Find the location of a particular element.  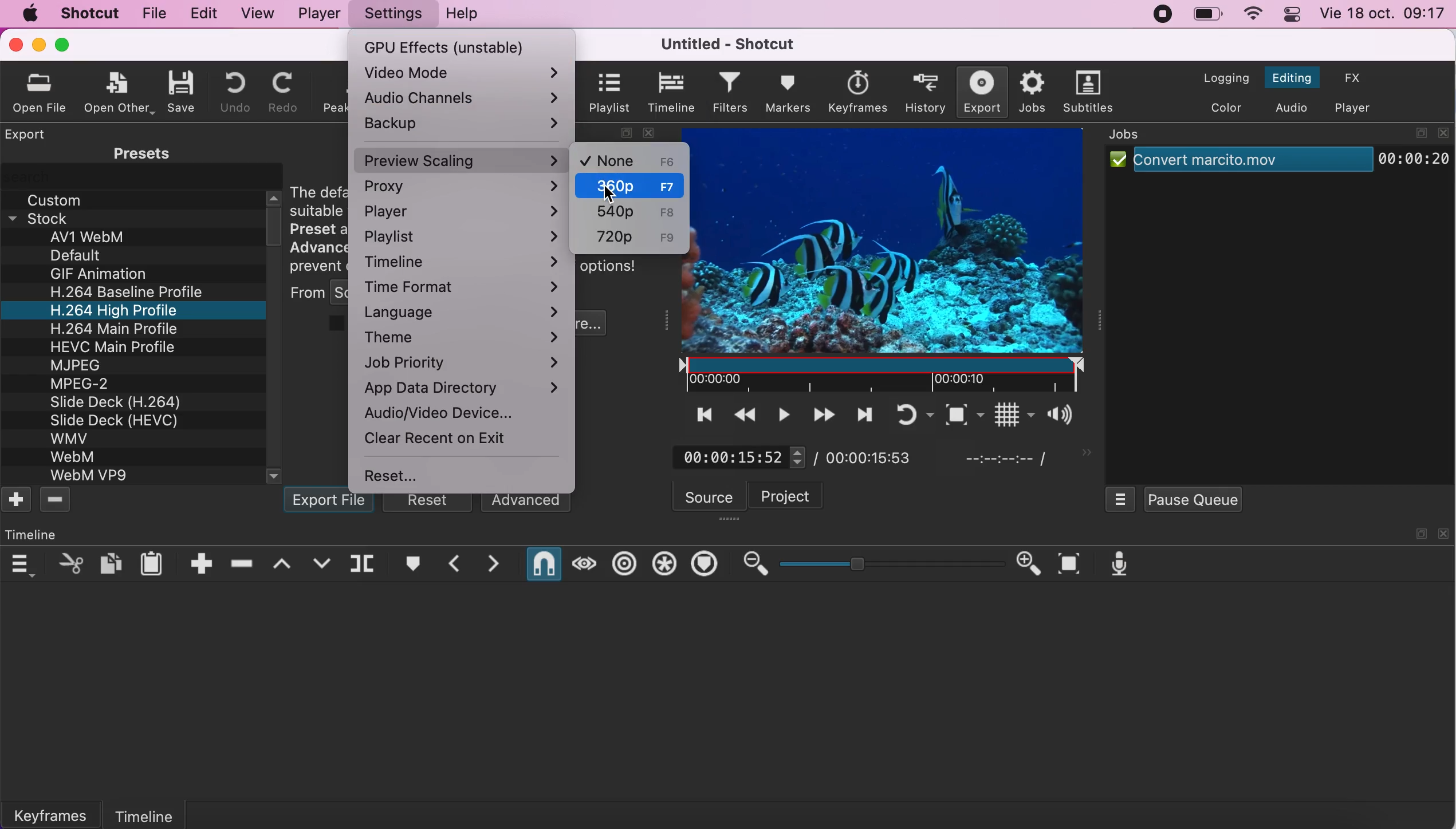

wifi is located at coordinates (1250, 15).